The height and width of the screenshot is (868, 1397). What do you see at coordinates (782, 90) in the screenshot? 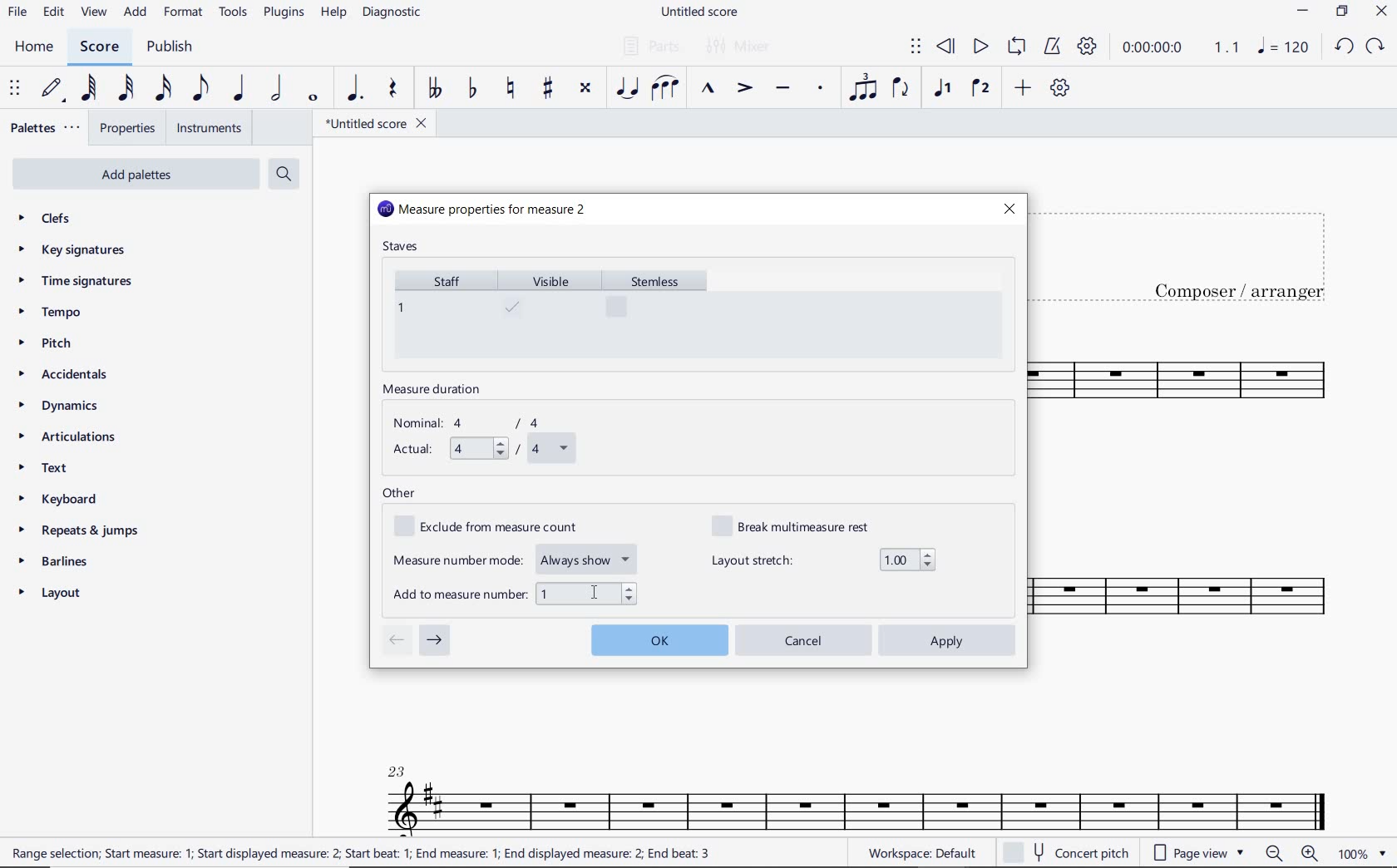
I see `TENUTO` at bounding box center [782, 90].